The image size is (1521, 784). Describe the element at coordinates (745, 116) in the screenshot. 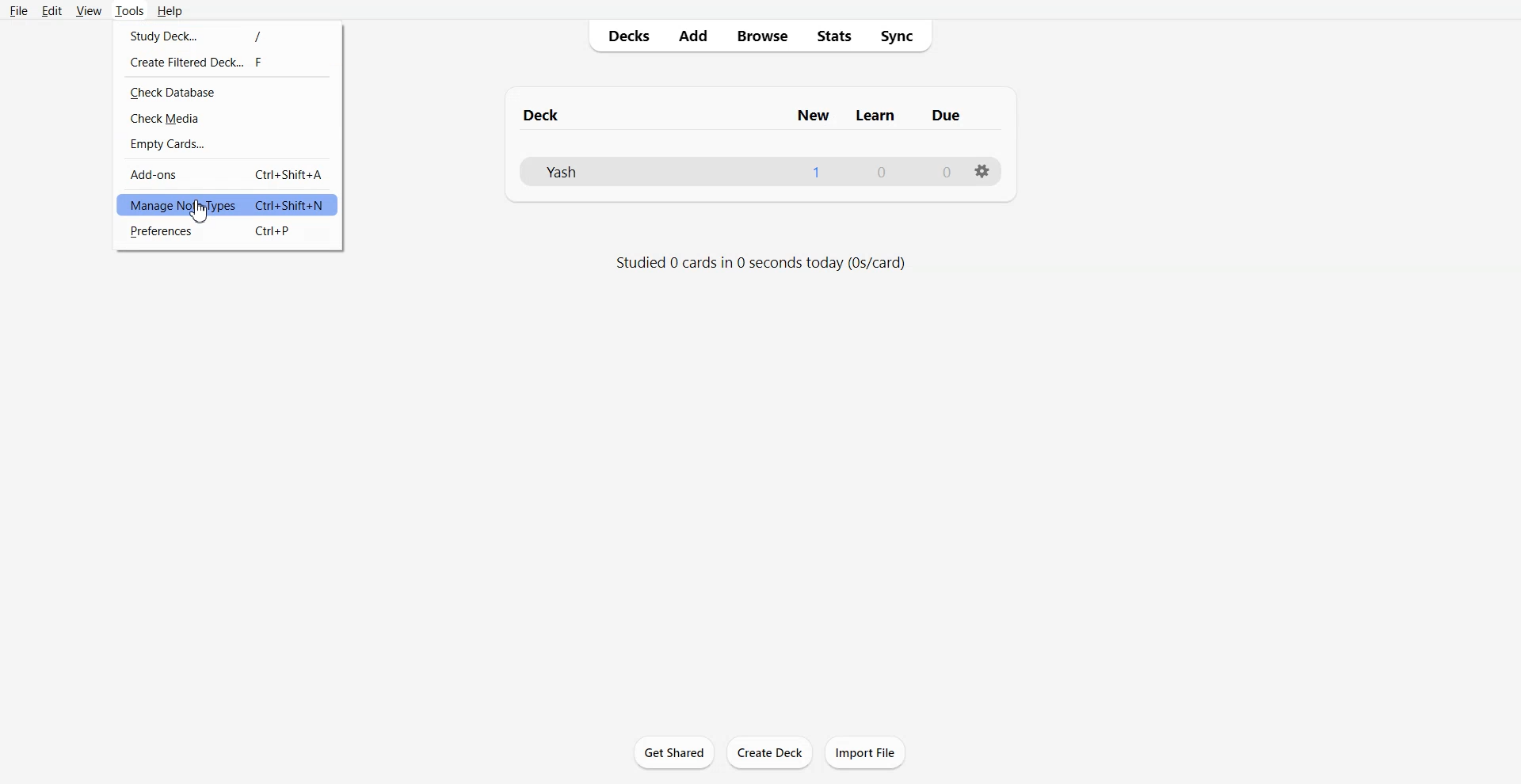

I see `Text 1` at that location.